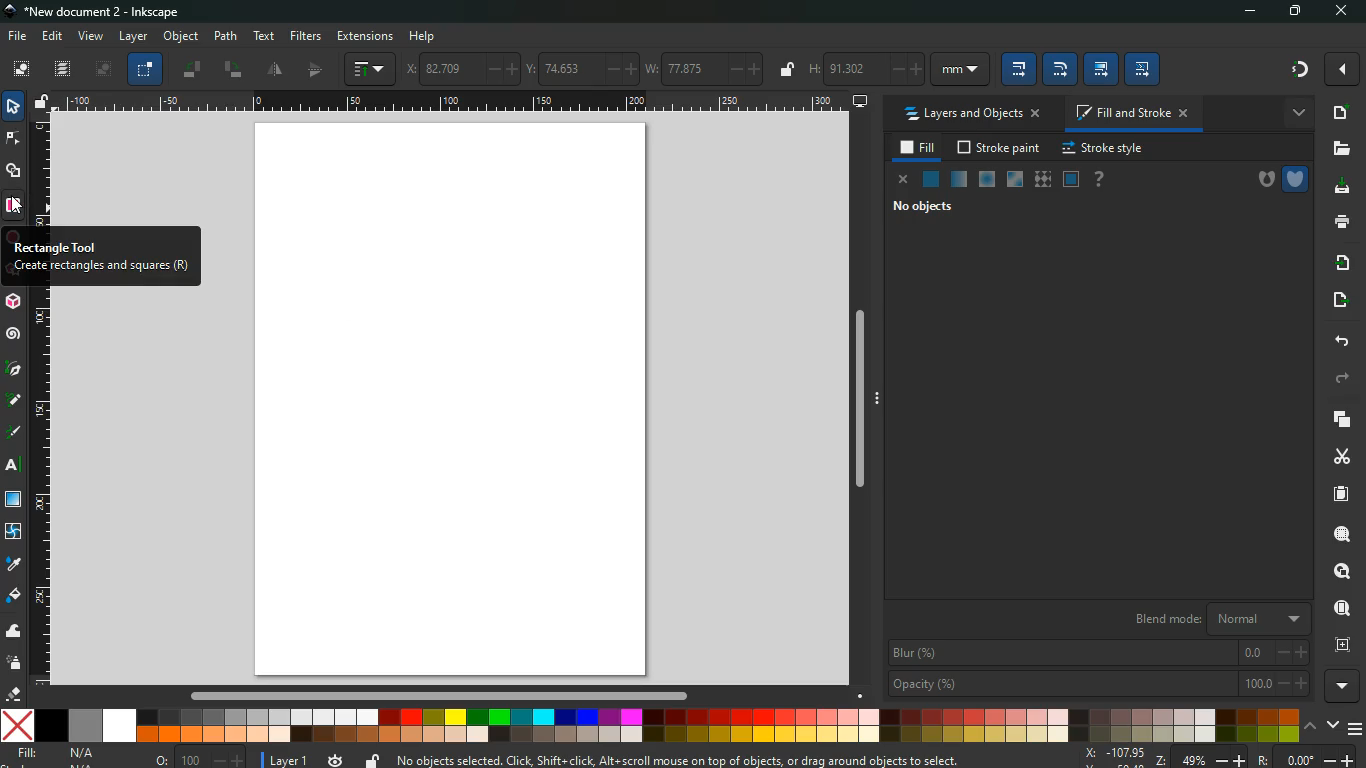 The image size is (1366, 768). I want to click on gradient, so click(1294, 70).